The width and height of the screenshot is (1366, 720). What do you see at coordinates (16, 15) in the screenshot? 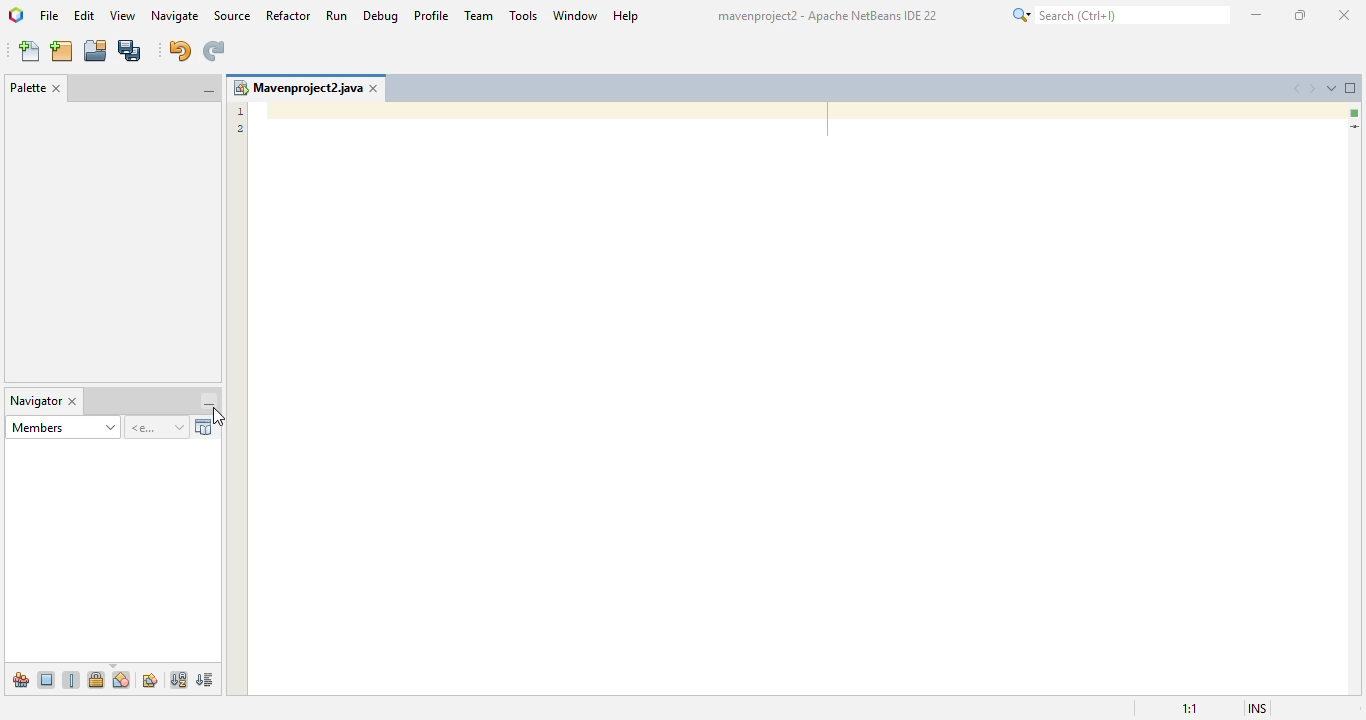
I see `logo` at bounding box center [16, 15].